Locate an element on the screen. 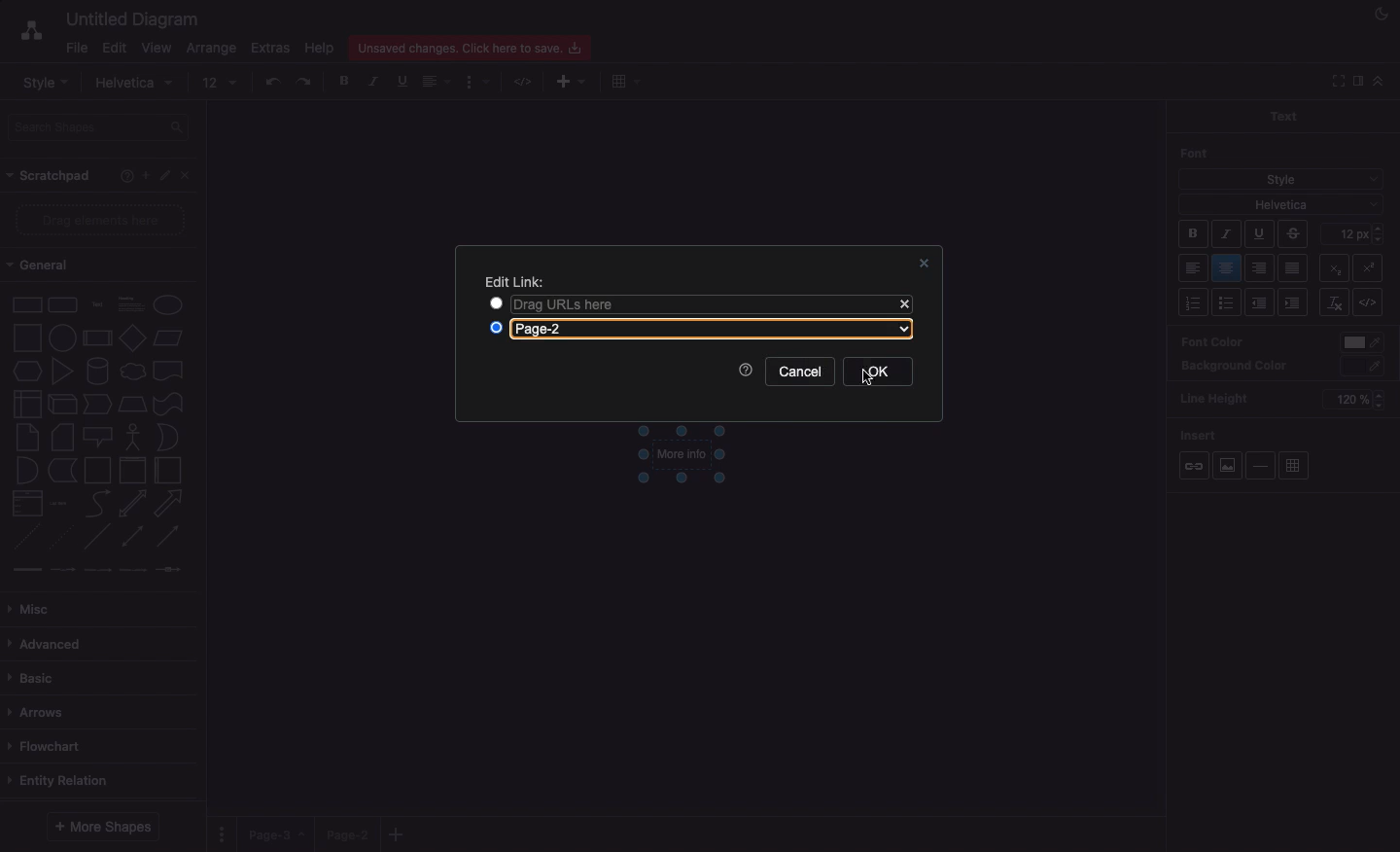  Unindent is located at coordinates (1262, 302).